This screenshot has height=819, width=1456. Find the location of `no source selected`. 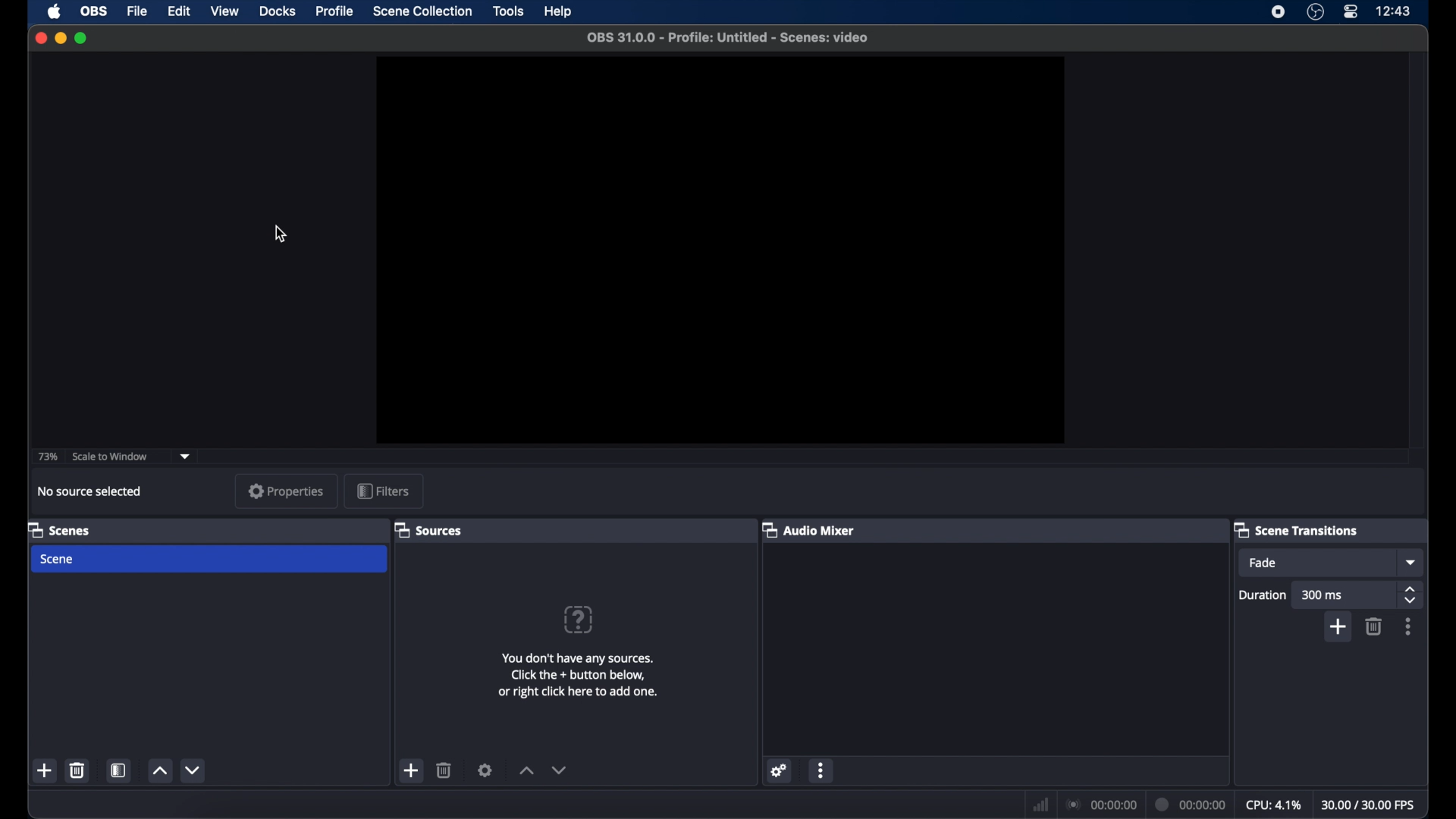

no source selected is located at coordinates (89, 491).